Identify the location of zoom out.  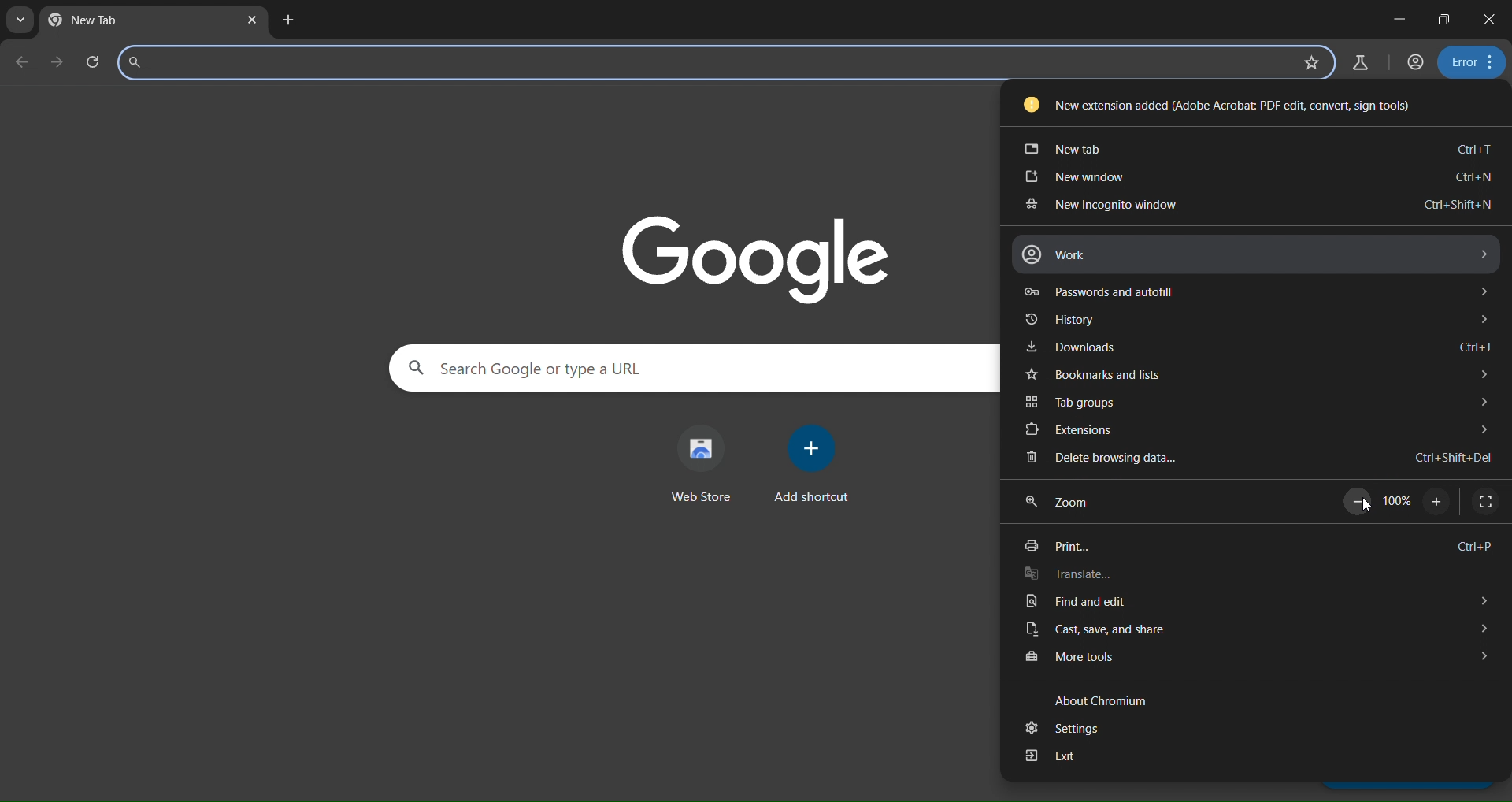
(1360, 500).